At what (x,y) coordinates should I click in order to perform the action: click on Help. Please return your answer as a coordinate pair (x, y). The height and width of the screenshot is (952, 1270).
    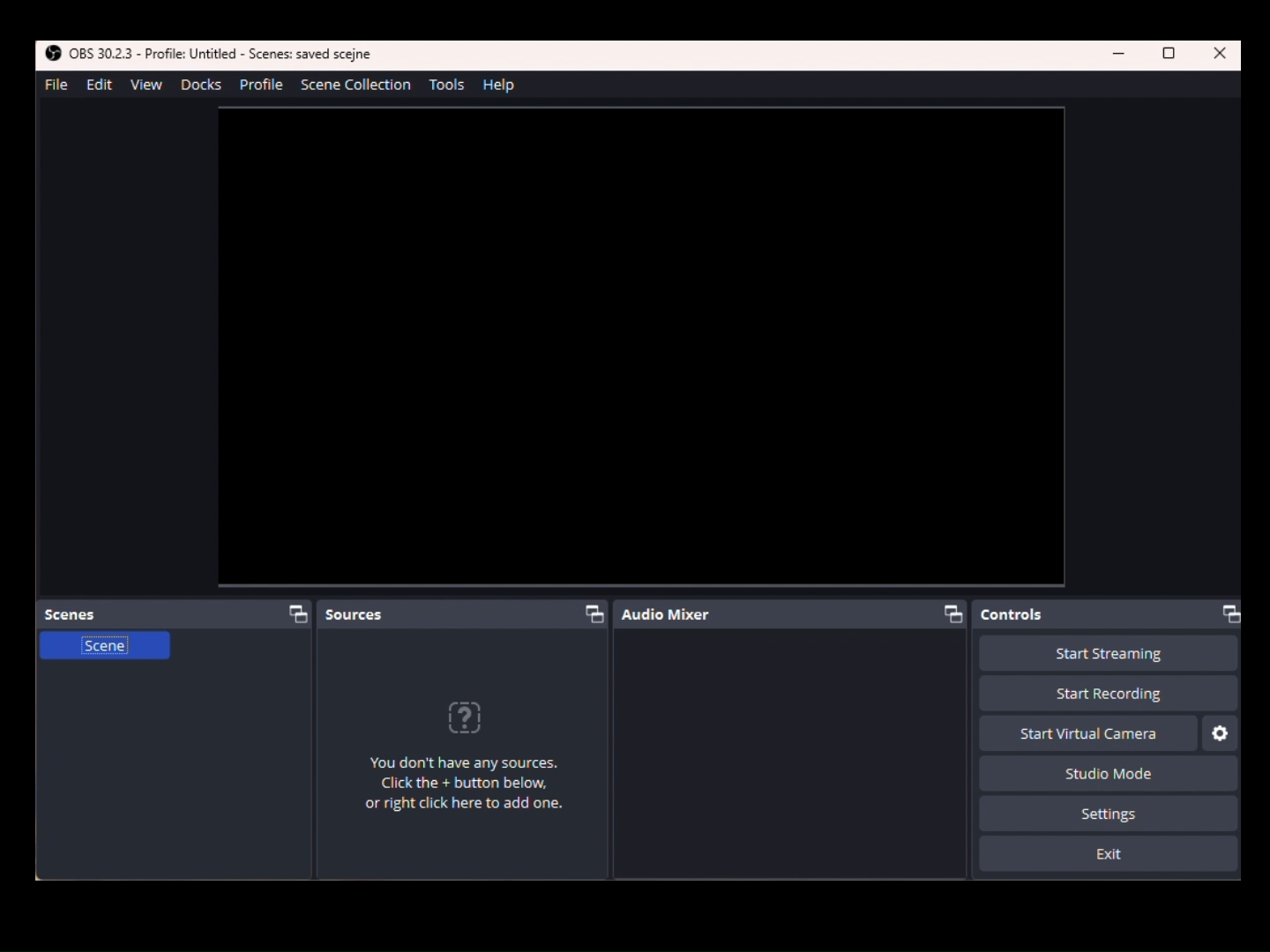
    Looking at the image, I should click on (504, 85).